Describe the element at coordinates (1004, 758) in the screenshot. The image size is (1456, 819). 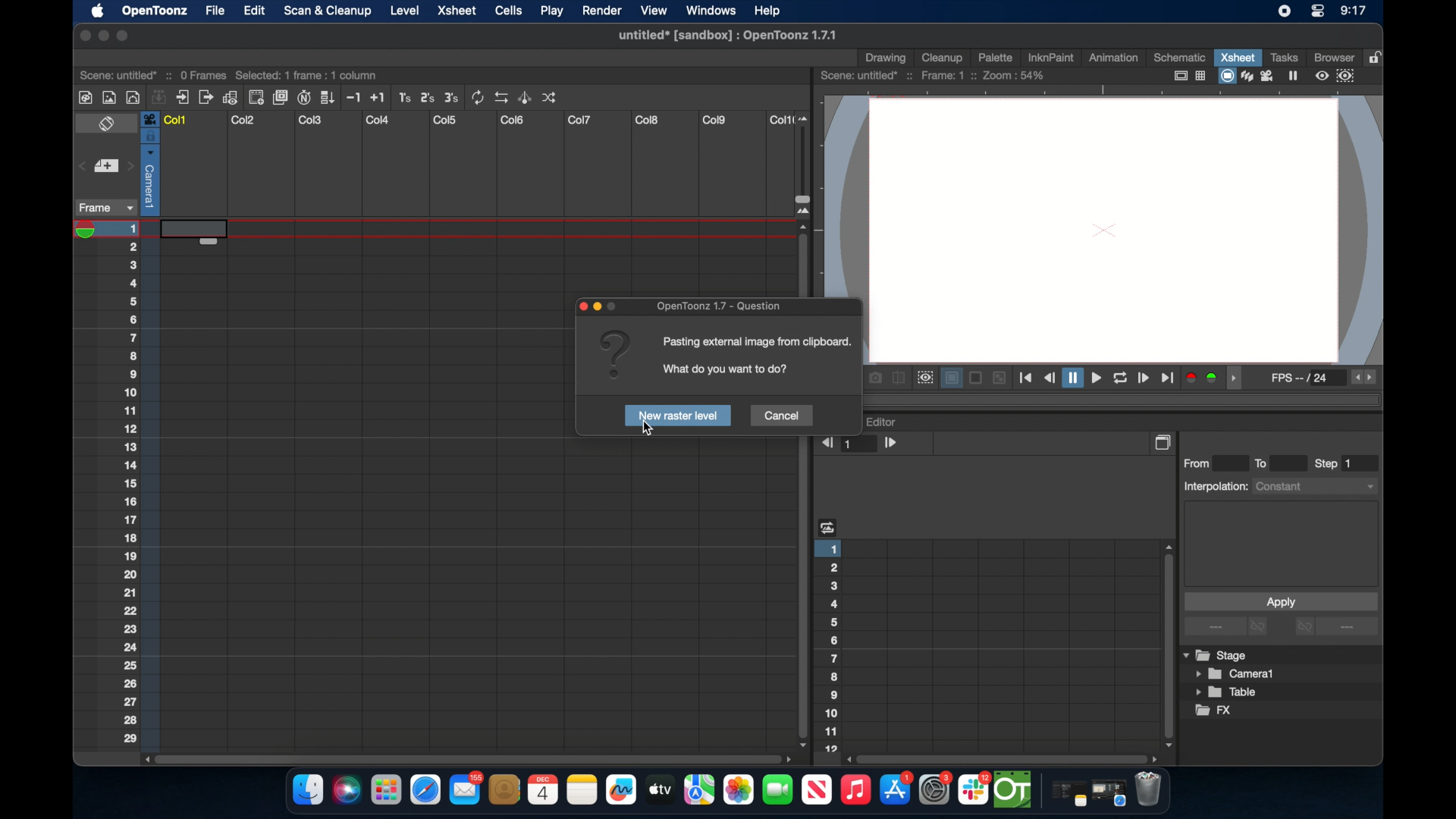
I see `scroll box` at that location.